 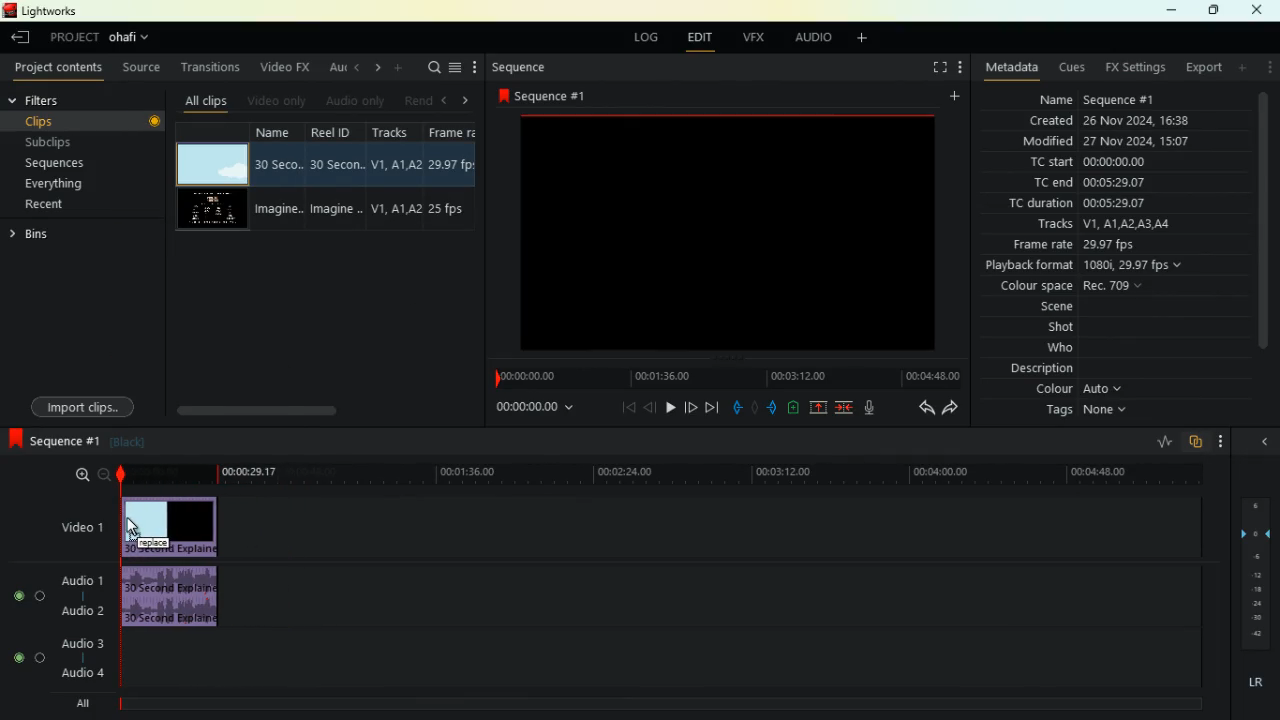 What do you see at coordinates (1120, 102) in the screenshot?
I see `Sequence #1` at bounding box center [1120, 102].